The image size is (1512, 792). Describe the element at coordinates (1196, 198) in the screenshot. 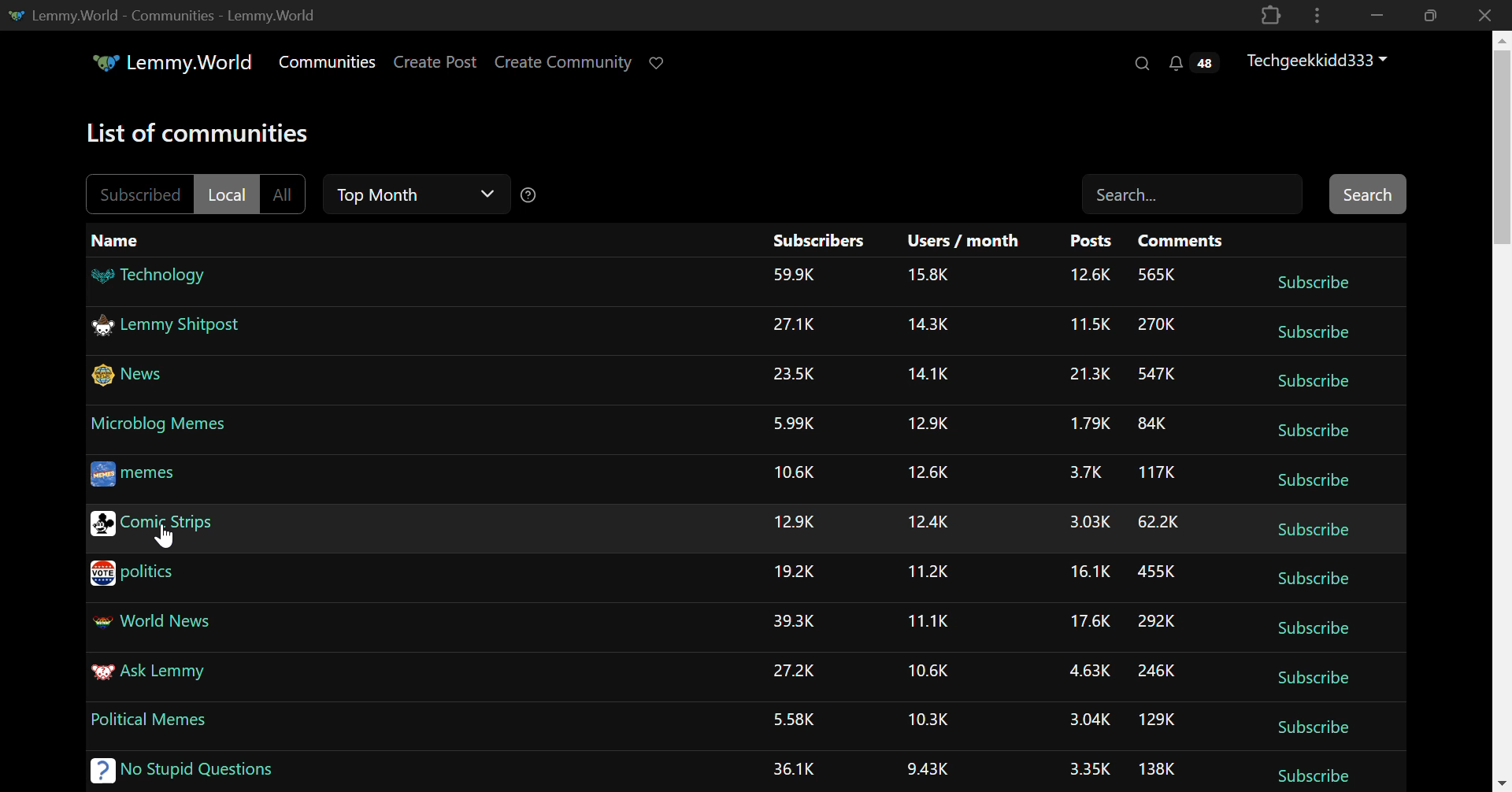

I see `Search` at that location.